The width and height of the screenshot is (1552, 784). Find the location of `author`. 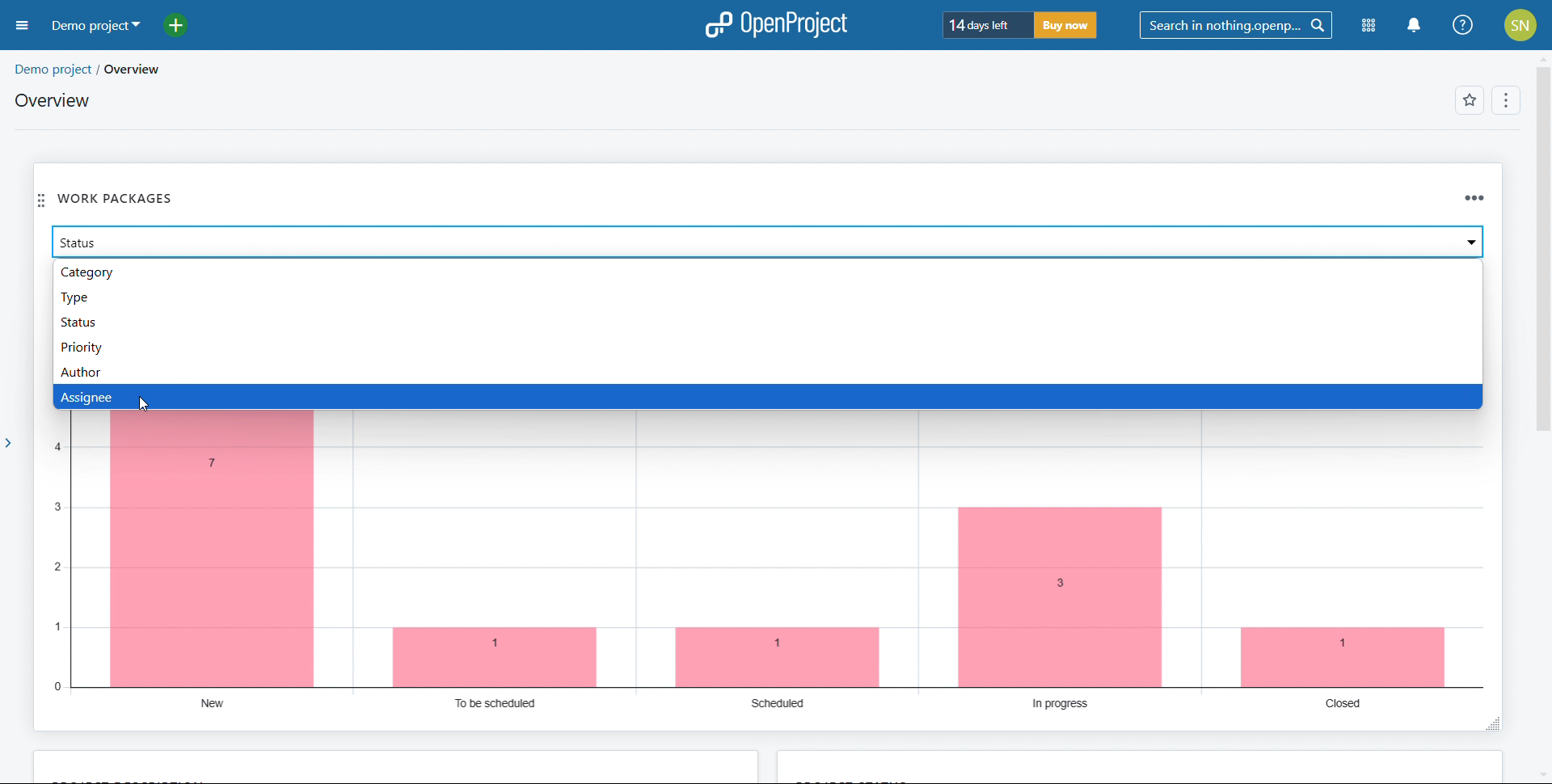

author is located at coordinates (769, 371).